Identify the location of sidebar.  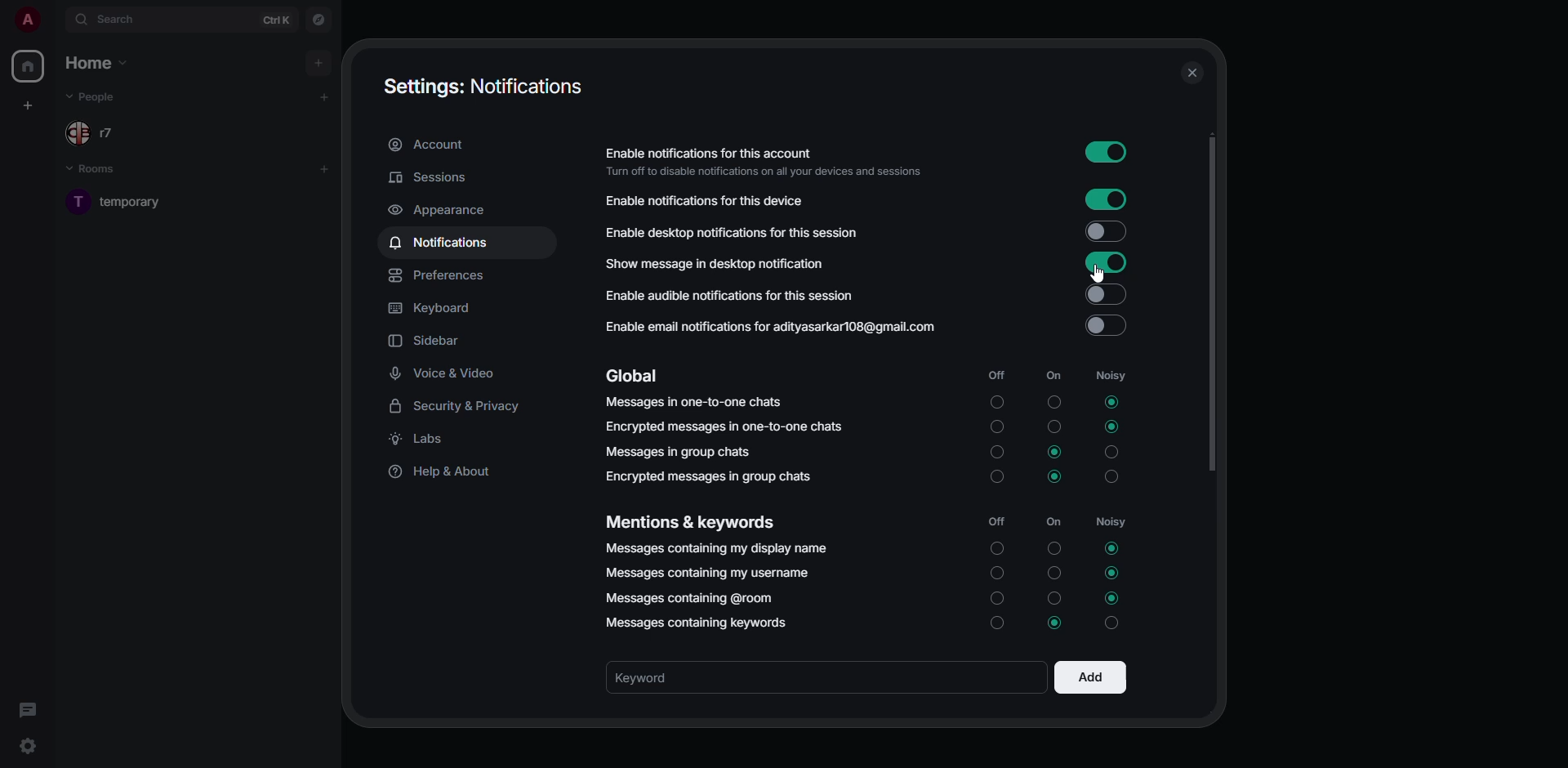
(427, 340).